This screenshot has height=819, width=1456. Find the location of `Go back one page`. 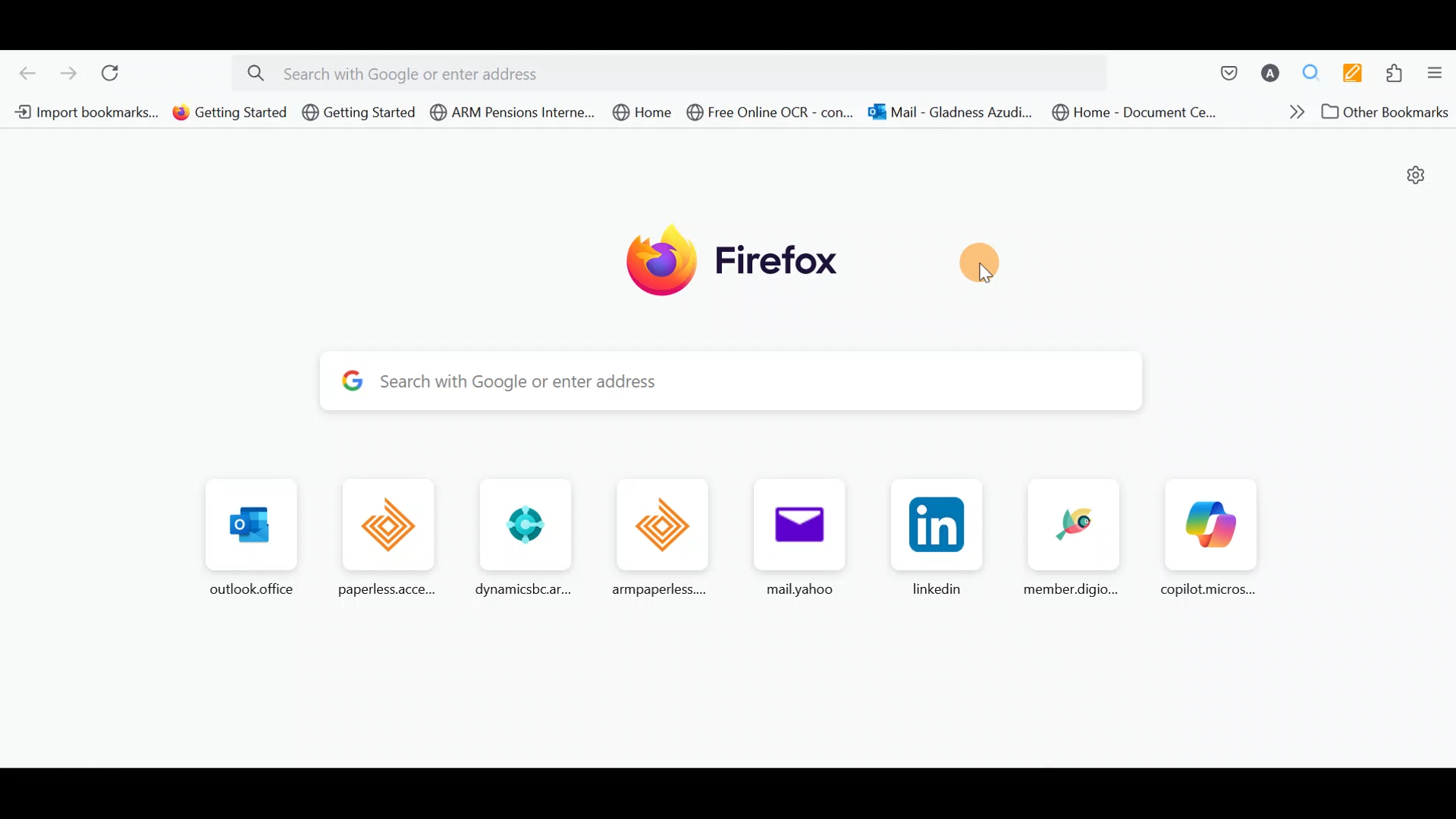

Go back one page is located at coordinates (21, 70).